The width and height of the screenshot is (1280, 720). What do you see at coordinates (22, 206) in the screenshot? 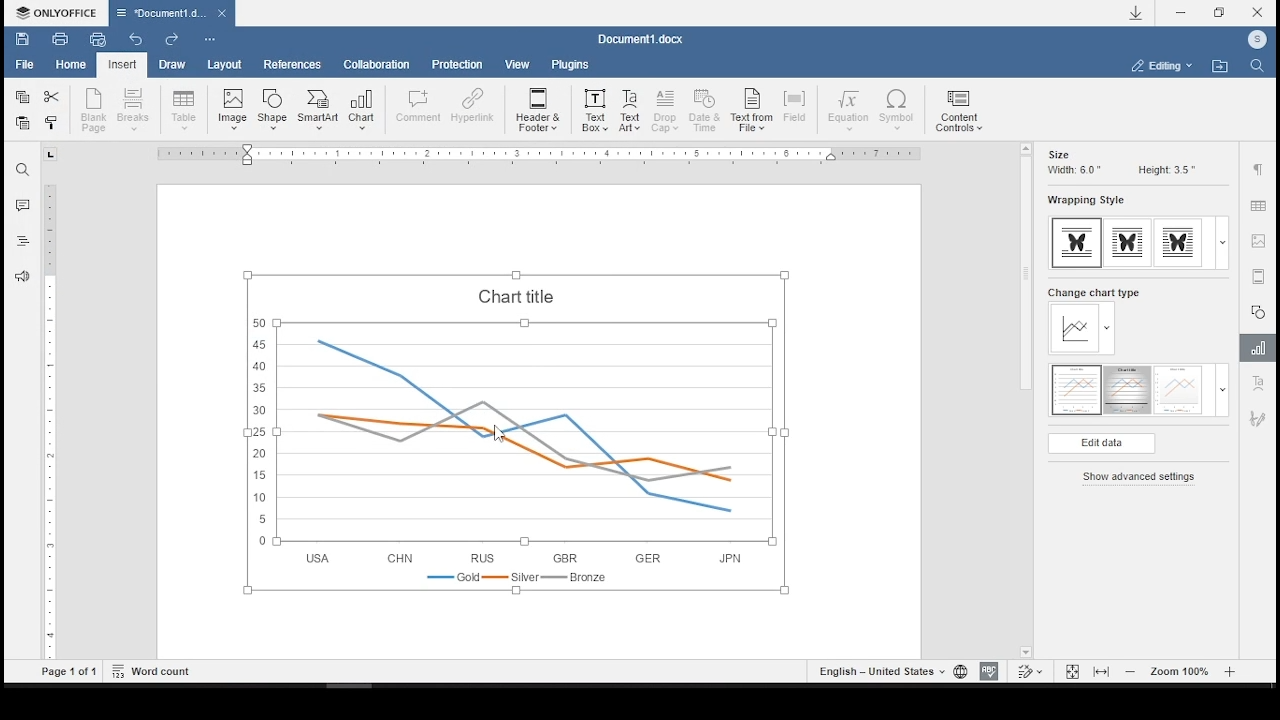
I see `comments` at bounding box center [22, 206].